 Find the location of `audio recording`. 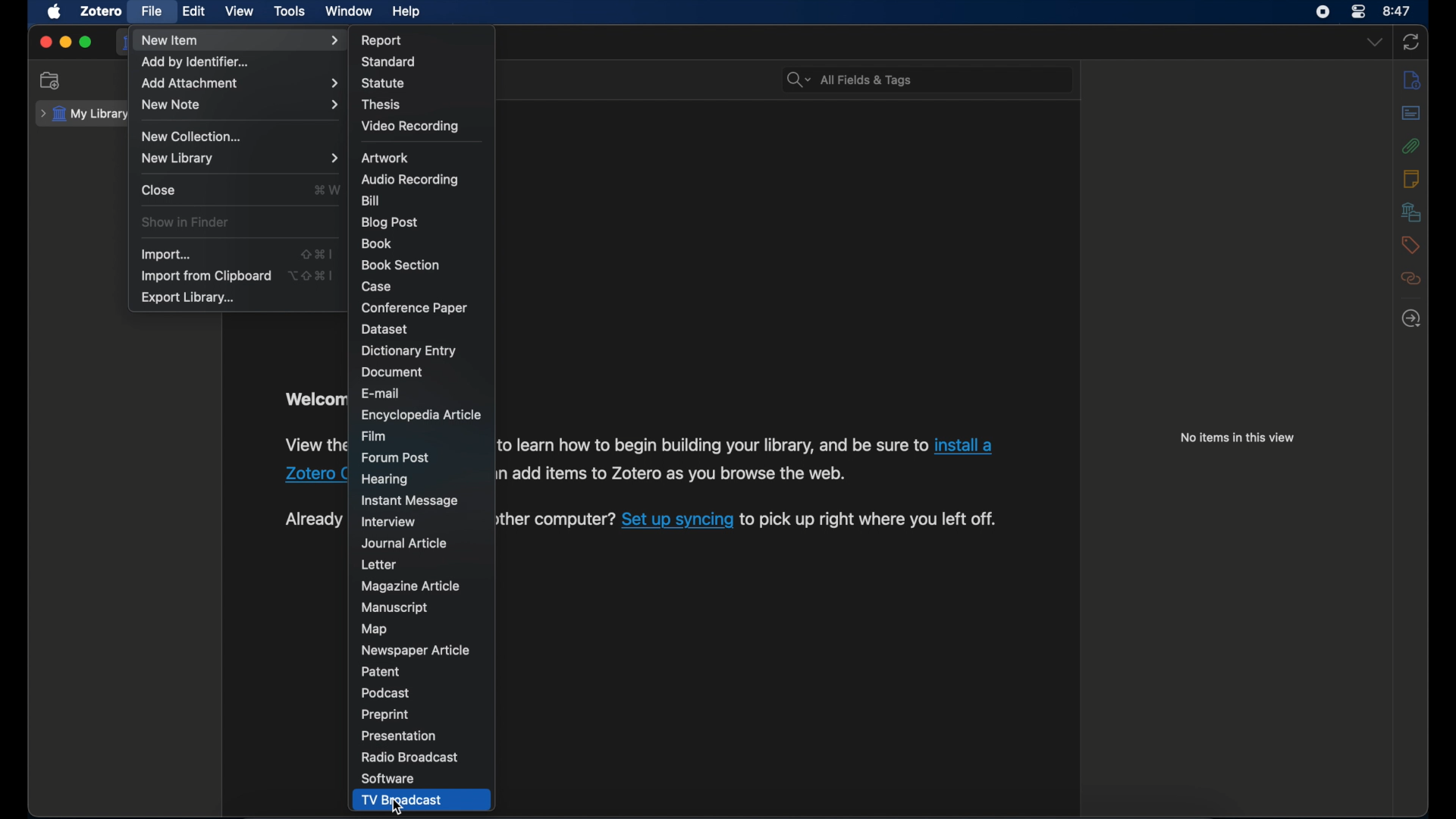

audio recording is located at coordinates (409, 180).